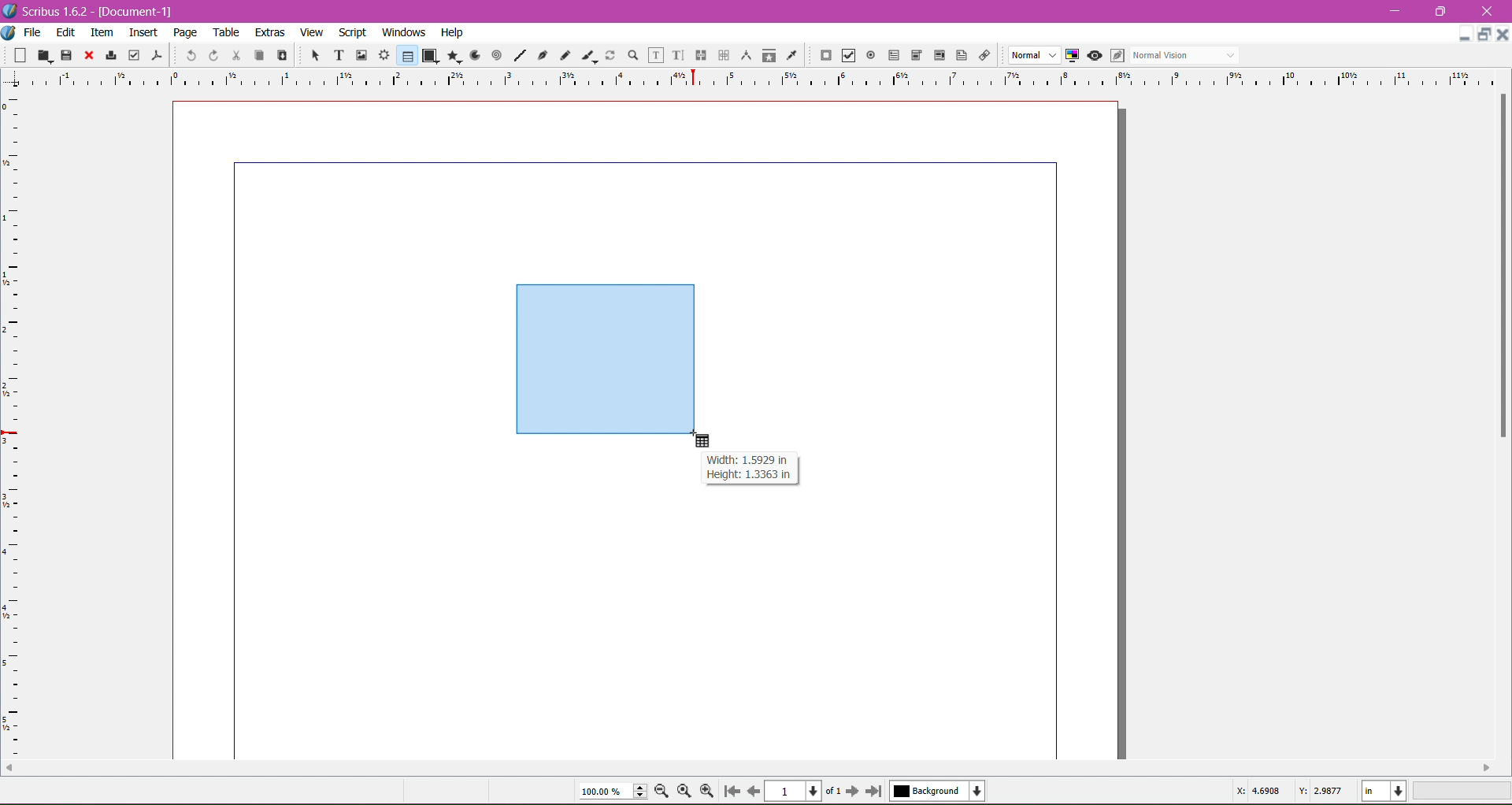 This screenshot has width=1512, height=805. Describe the element at coordinates (384, 55) in the screenshot. I see `Render Frame` at that location.